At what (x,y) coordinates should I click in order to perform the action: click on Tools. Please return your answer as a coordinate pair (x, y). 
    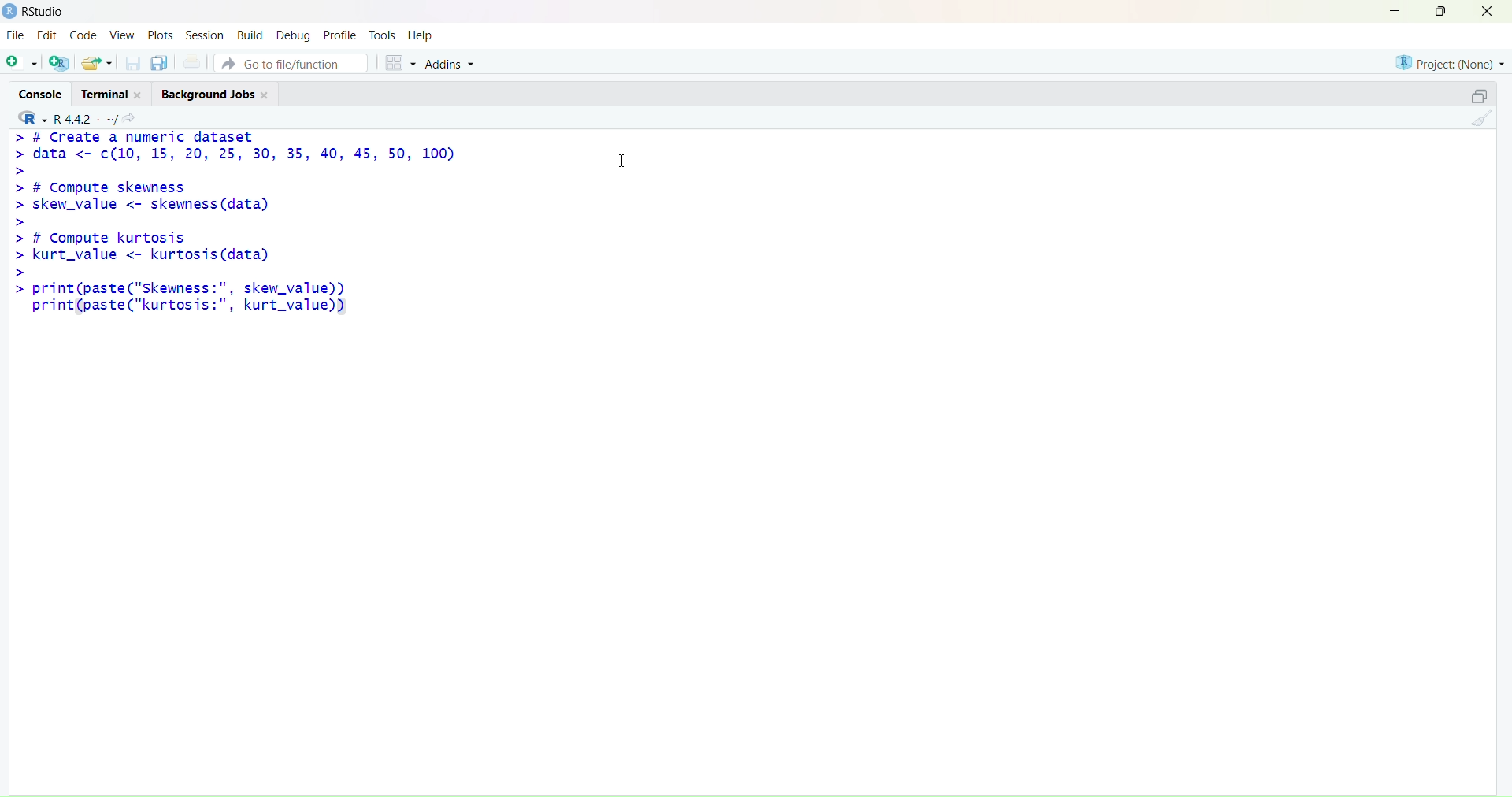
    Looking at the image, I should click on (383, 32).